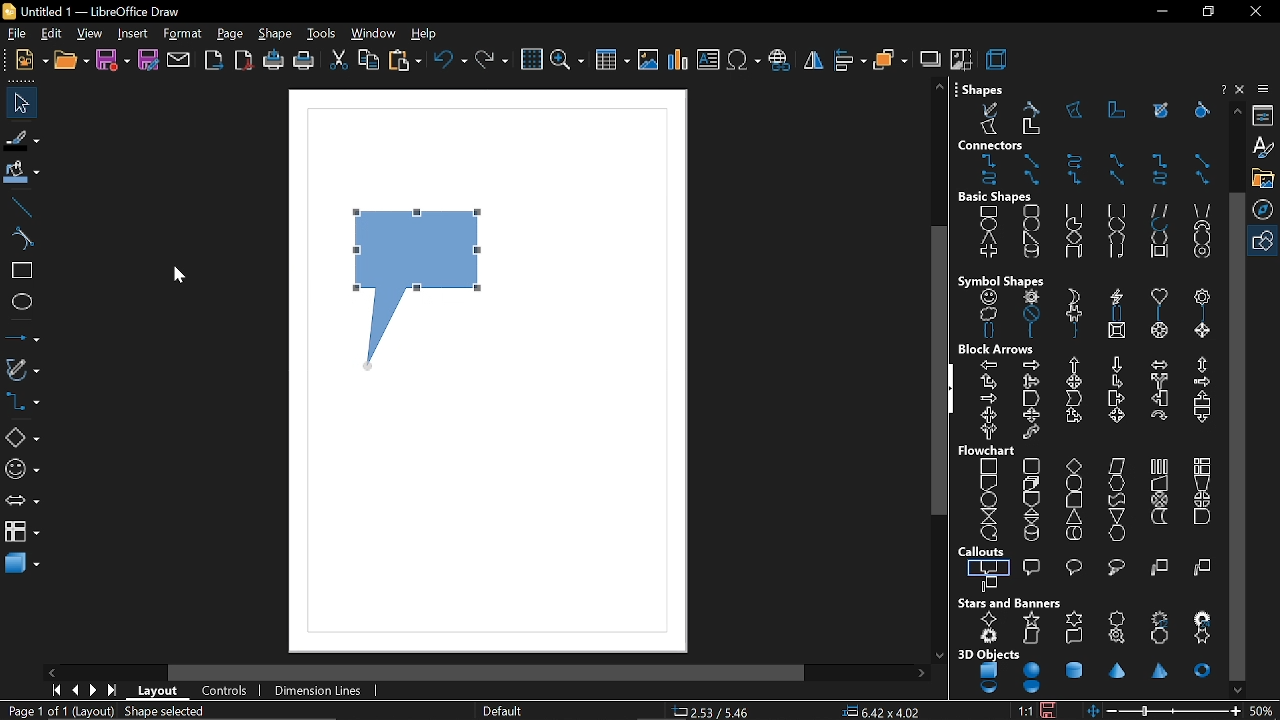 This screenshot has width=1280, height=720. I want to click on flowchart, so click(989, 451).